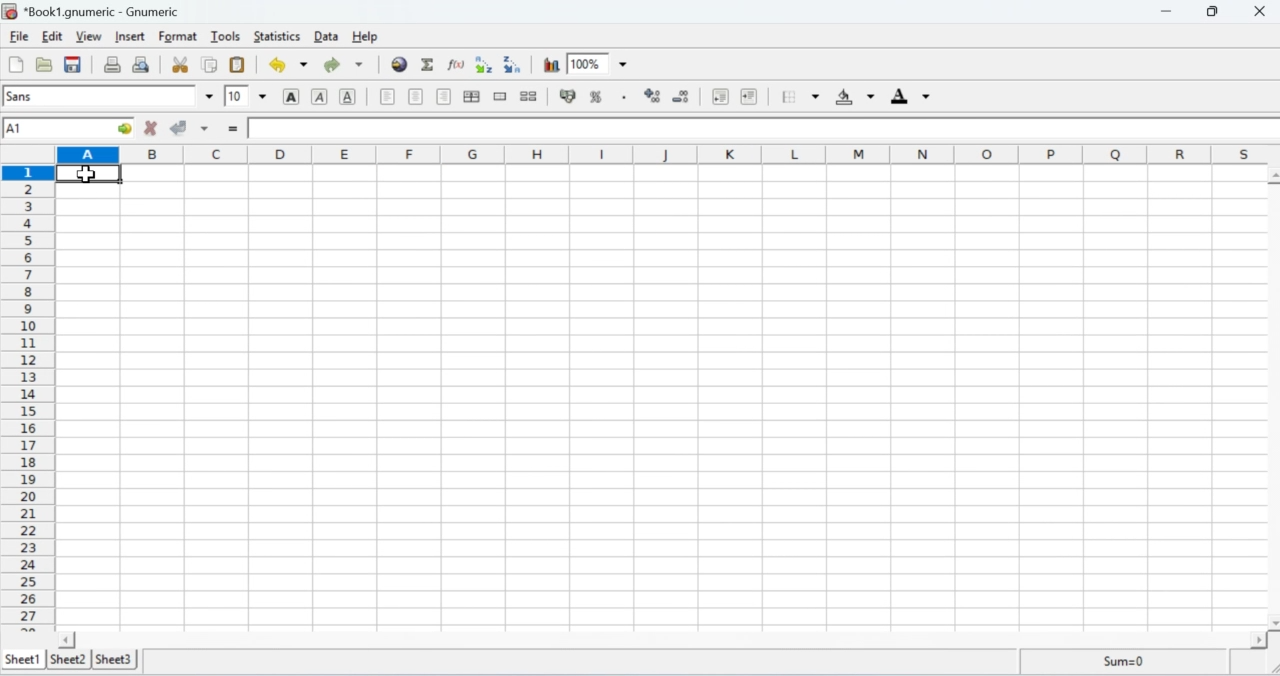 This screenshot has height=676, width=1280. I want to click on Font name sans, so click(107, 97).